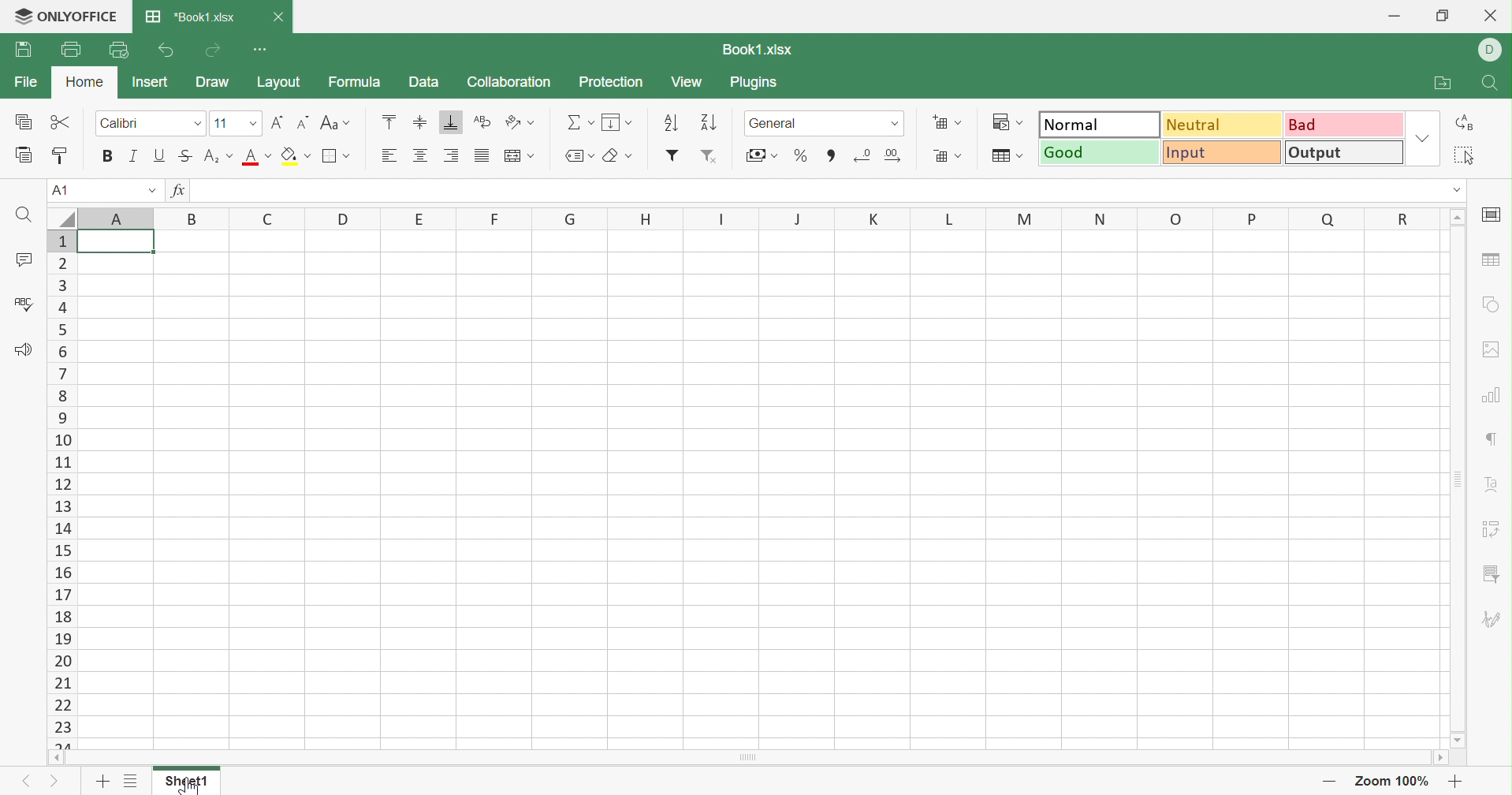 The height and width of the screenshot is (795, 1512). I want to click on Borders, so click(341, 157).